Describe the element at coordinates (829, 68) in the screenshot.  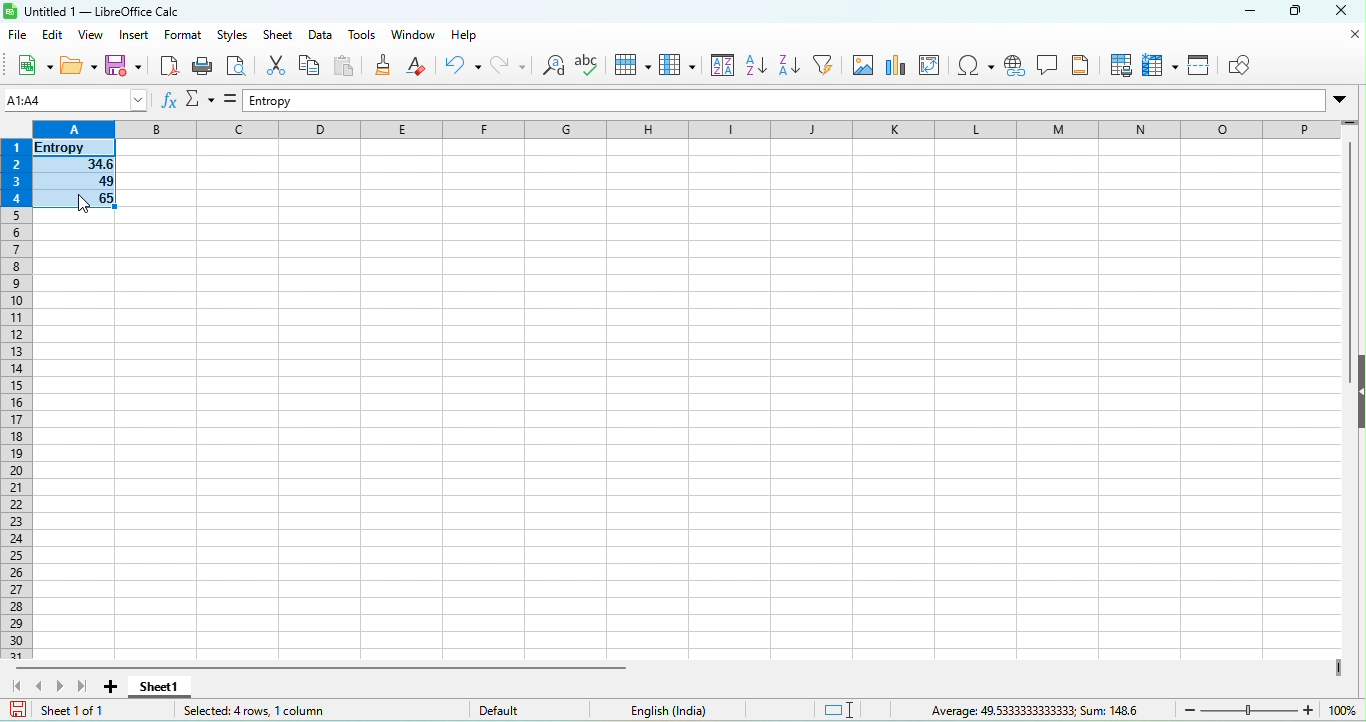
I see `auto filter` at that location.